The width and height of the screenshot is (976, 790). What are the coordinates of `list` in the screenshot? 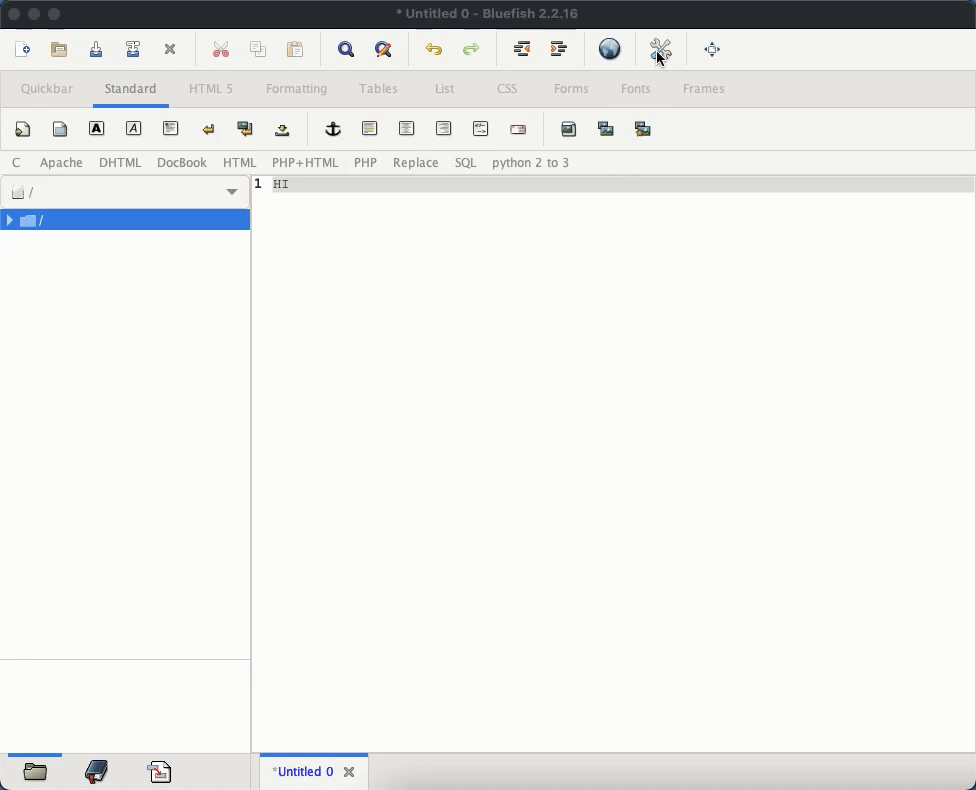 It's located at (446, 90).